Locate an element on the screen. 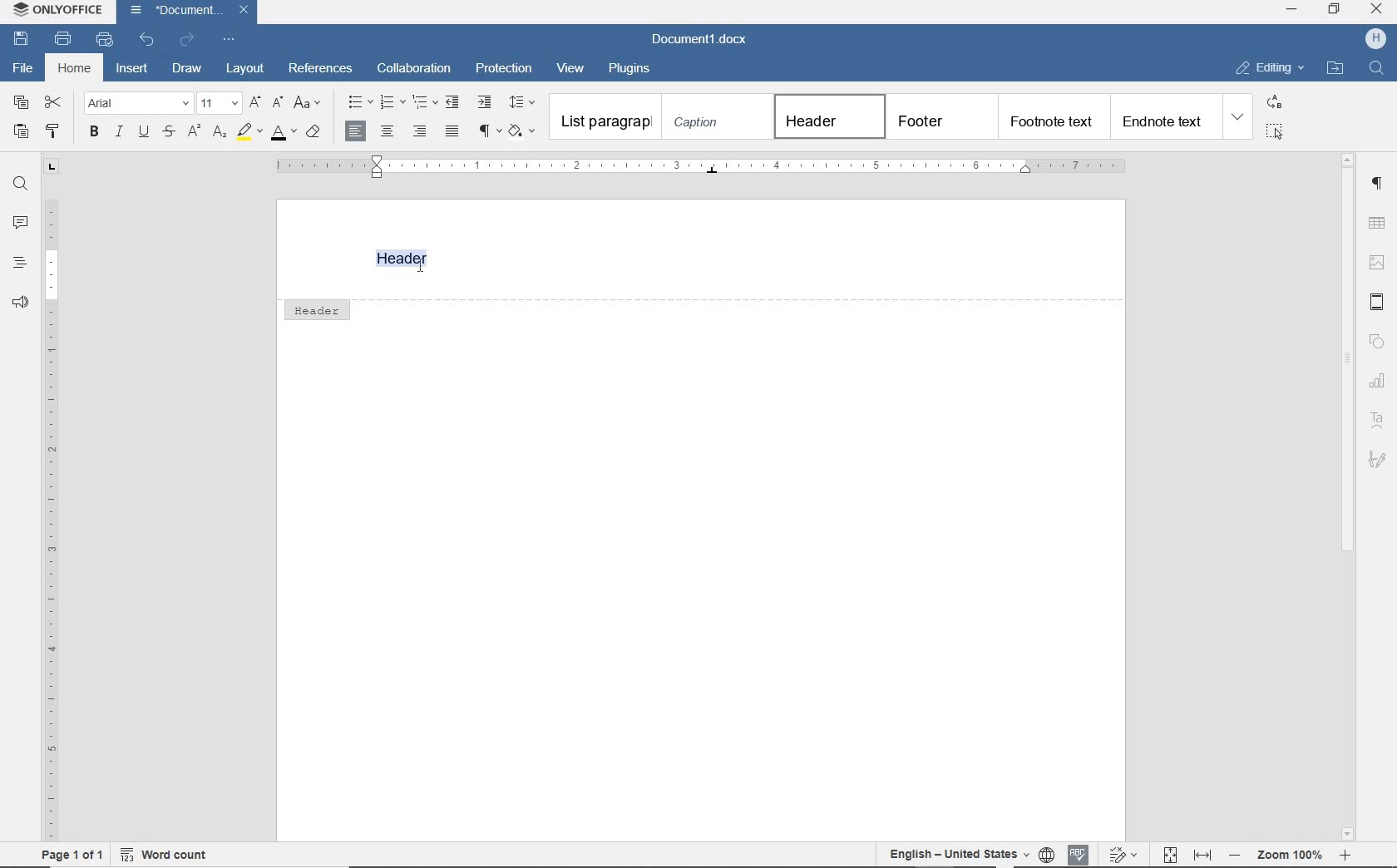 The width and height of the screenshot is (1397, 868). set documentlanguage is located at coordinates (1046, 854).